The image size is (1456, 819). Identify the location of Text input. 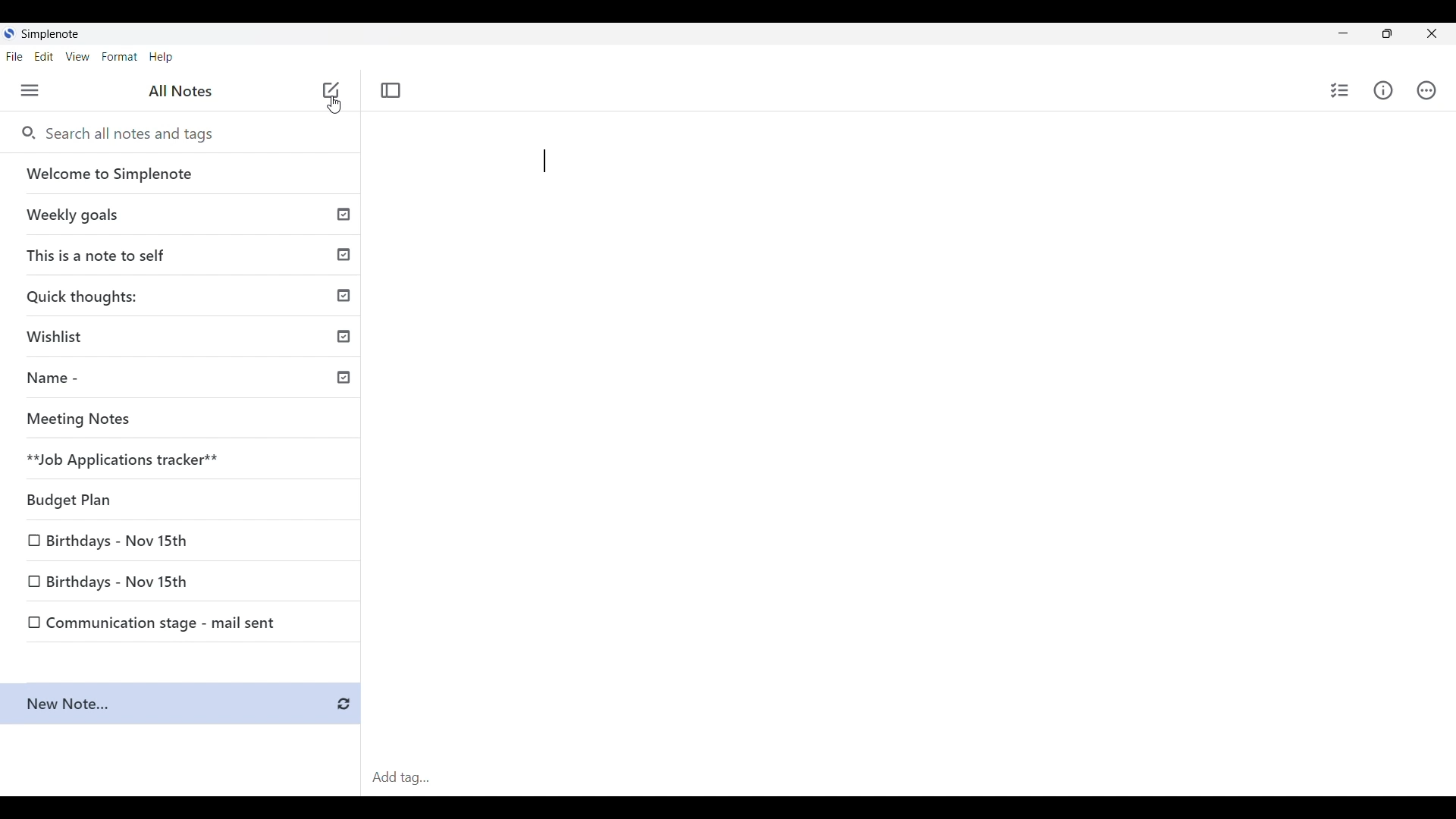
(934, 441).